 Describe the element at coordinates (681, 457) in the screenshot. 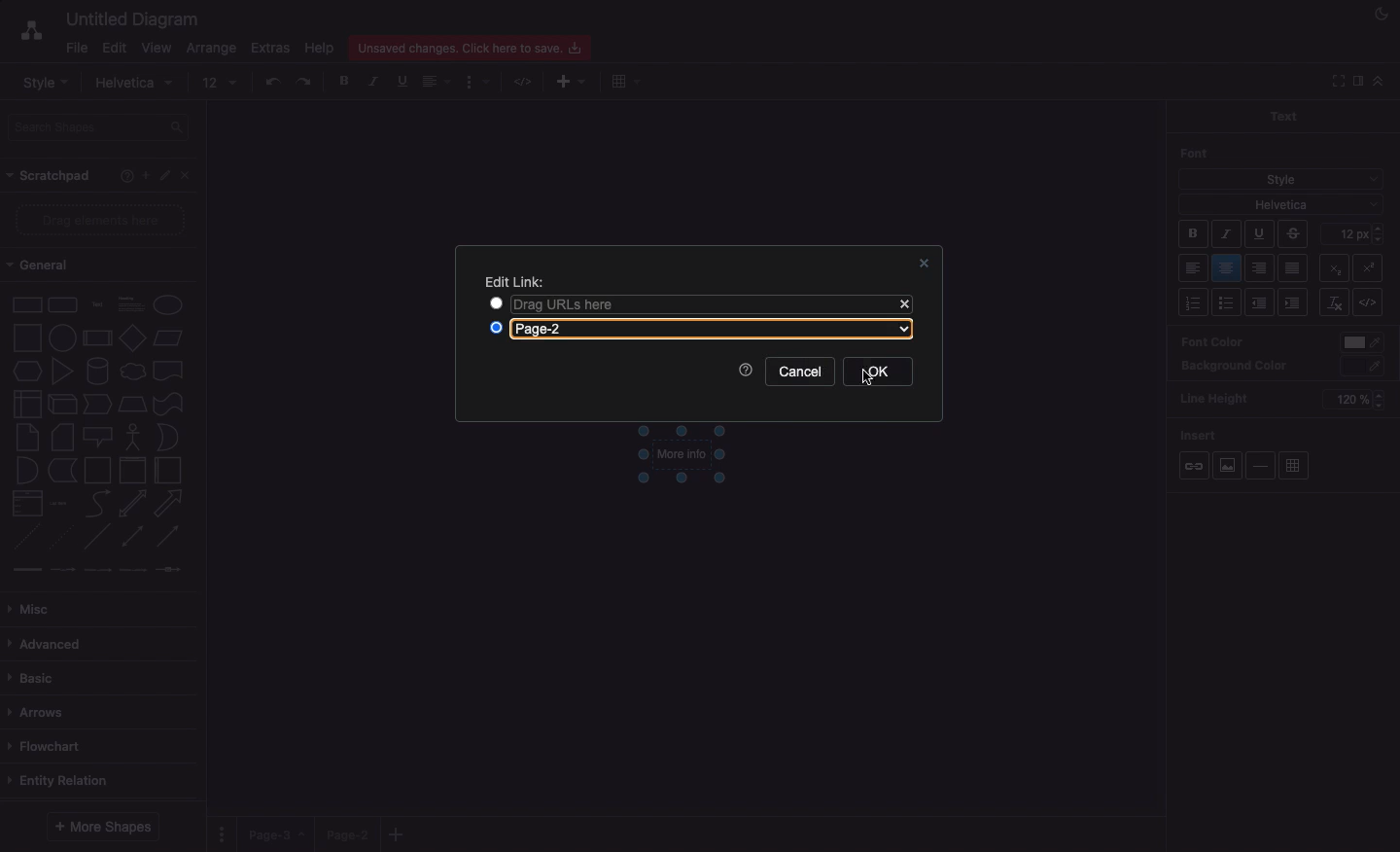

I see `More info` at that location.